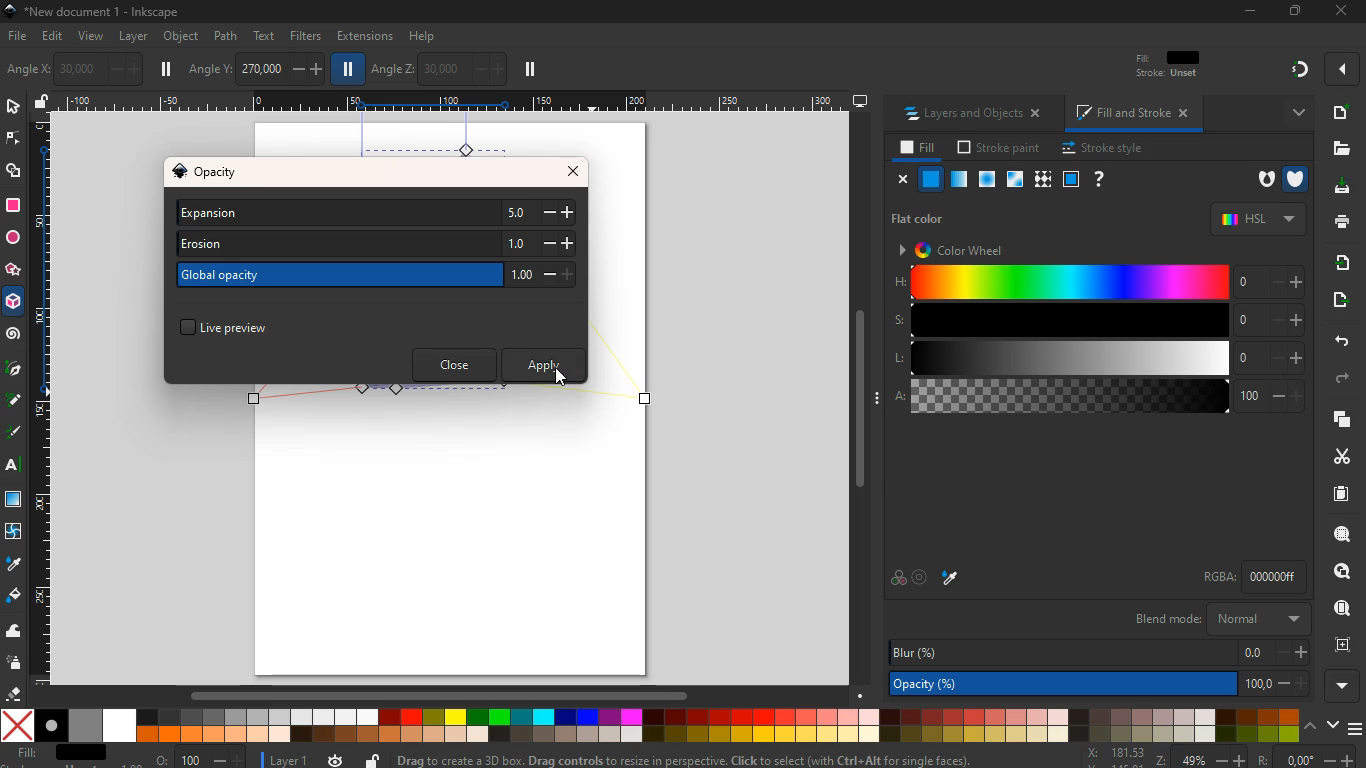  What do you see at coordinates (376, 246) in the screenshot?
I see `erosion` at bounding box center [376, 246].